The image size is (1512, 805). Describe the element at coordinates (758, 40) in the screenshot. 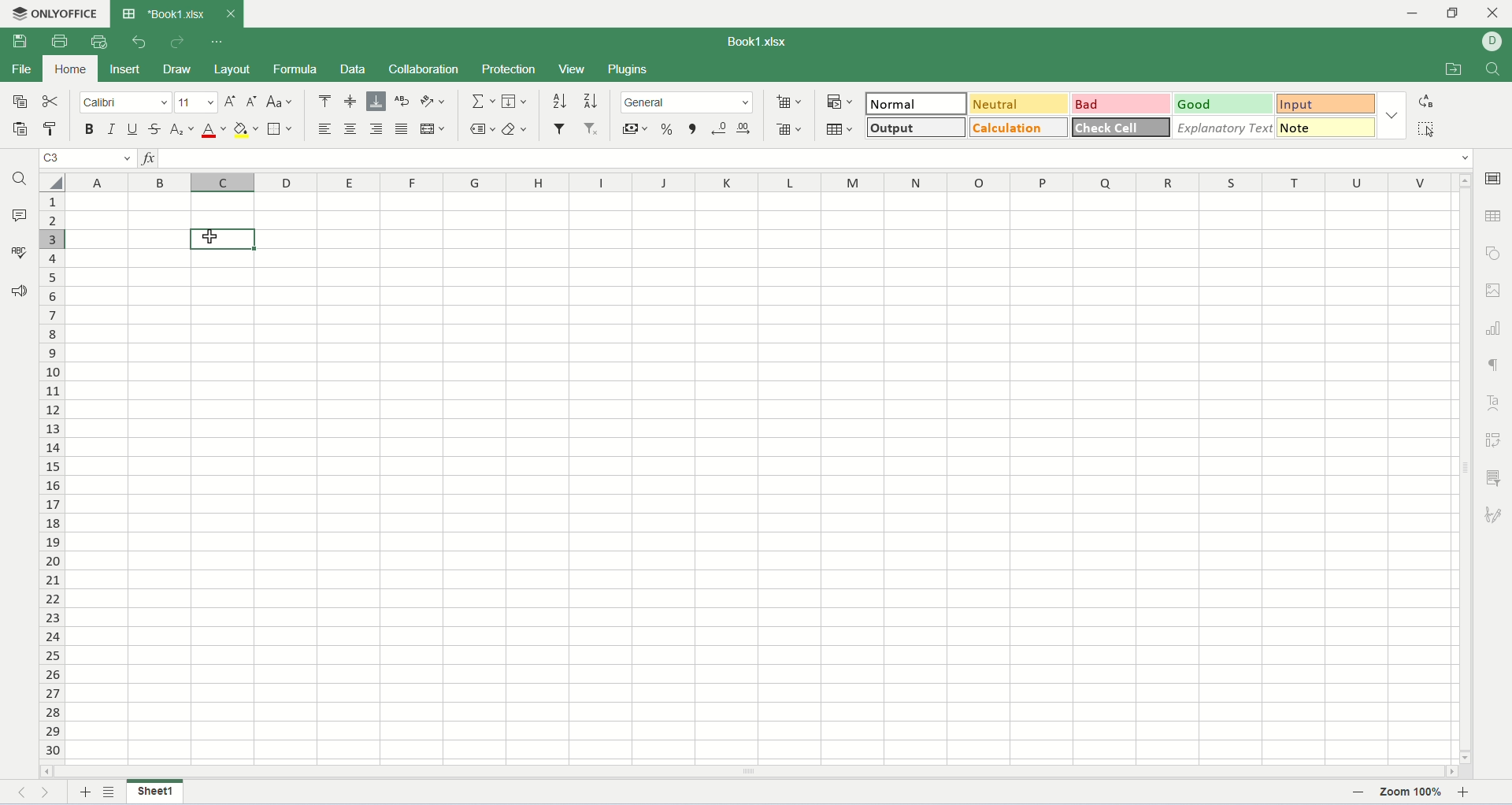

I see `Book1.xlsx` at that location.